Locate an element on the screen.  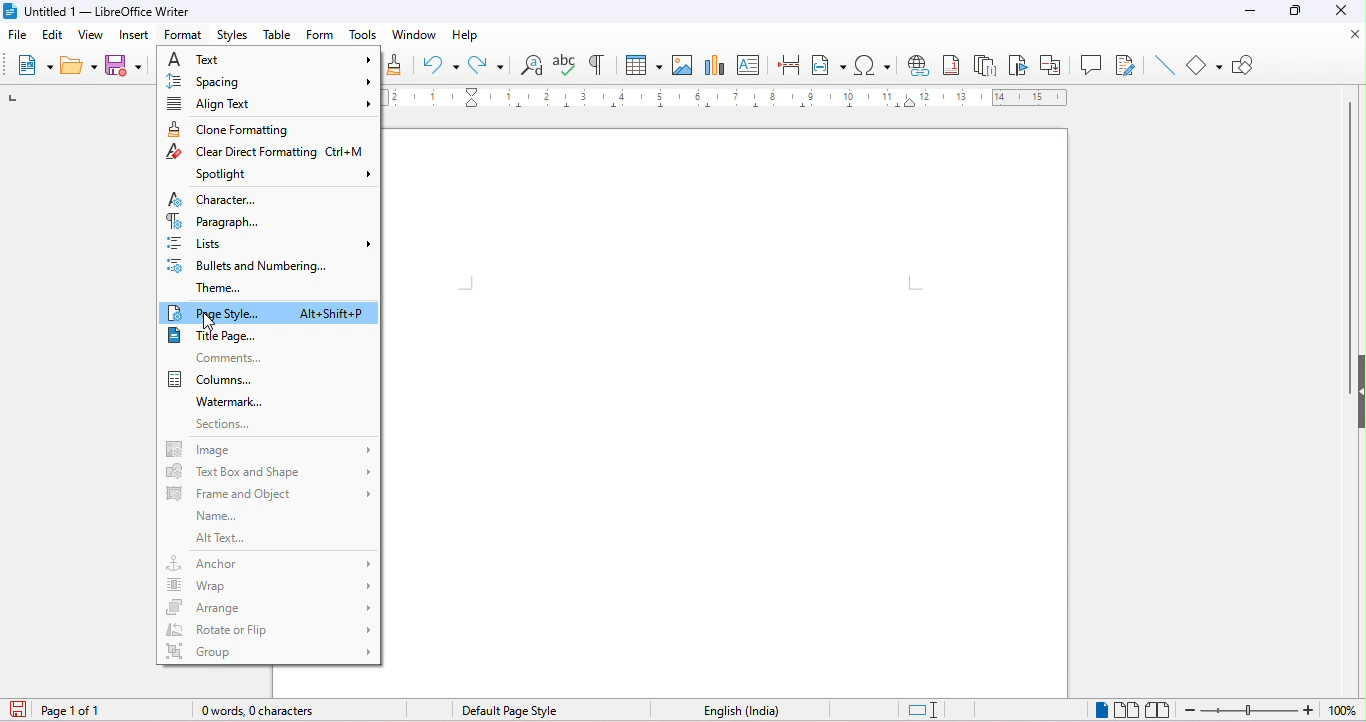
insert table is located at coordinates (641, 67).